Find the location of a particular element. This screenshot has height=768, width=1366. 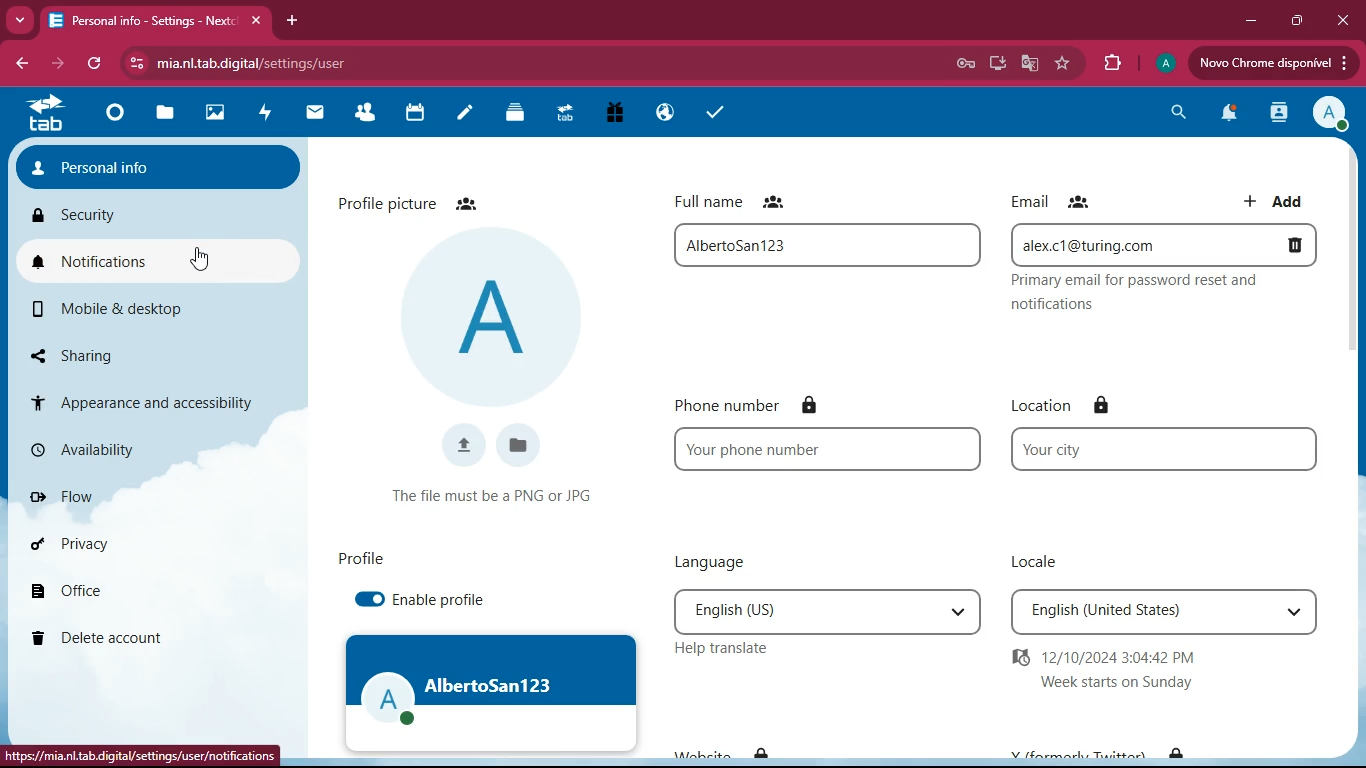

profile is located at coordinates (491, 697).